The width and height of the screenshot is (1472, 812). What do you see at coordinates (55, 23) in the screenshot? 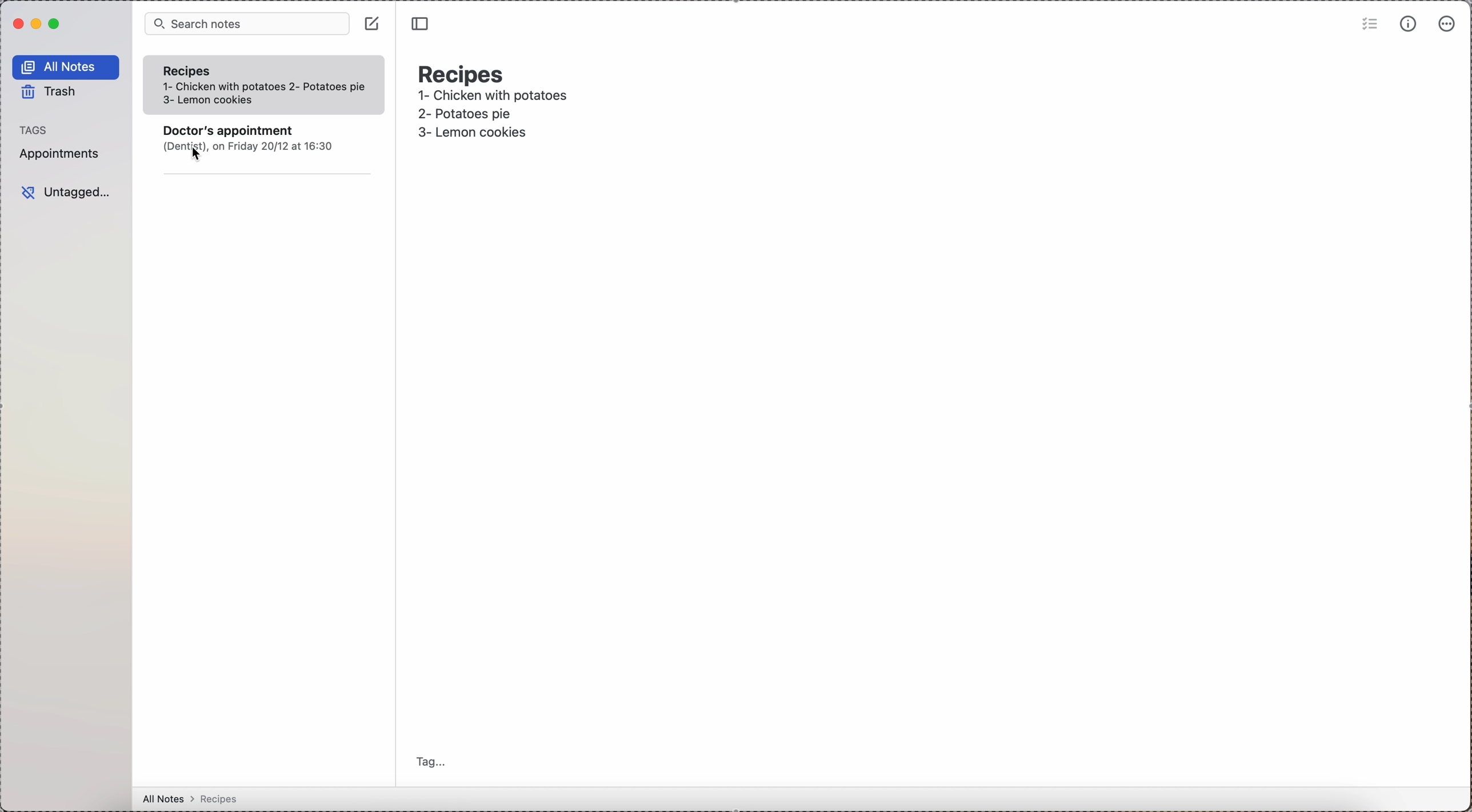
I see `maximize Simplenote` at bounding box center [55, 23].